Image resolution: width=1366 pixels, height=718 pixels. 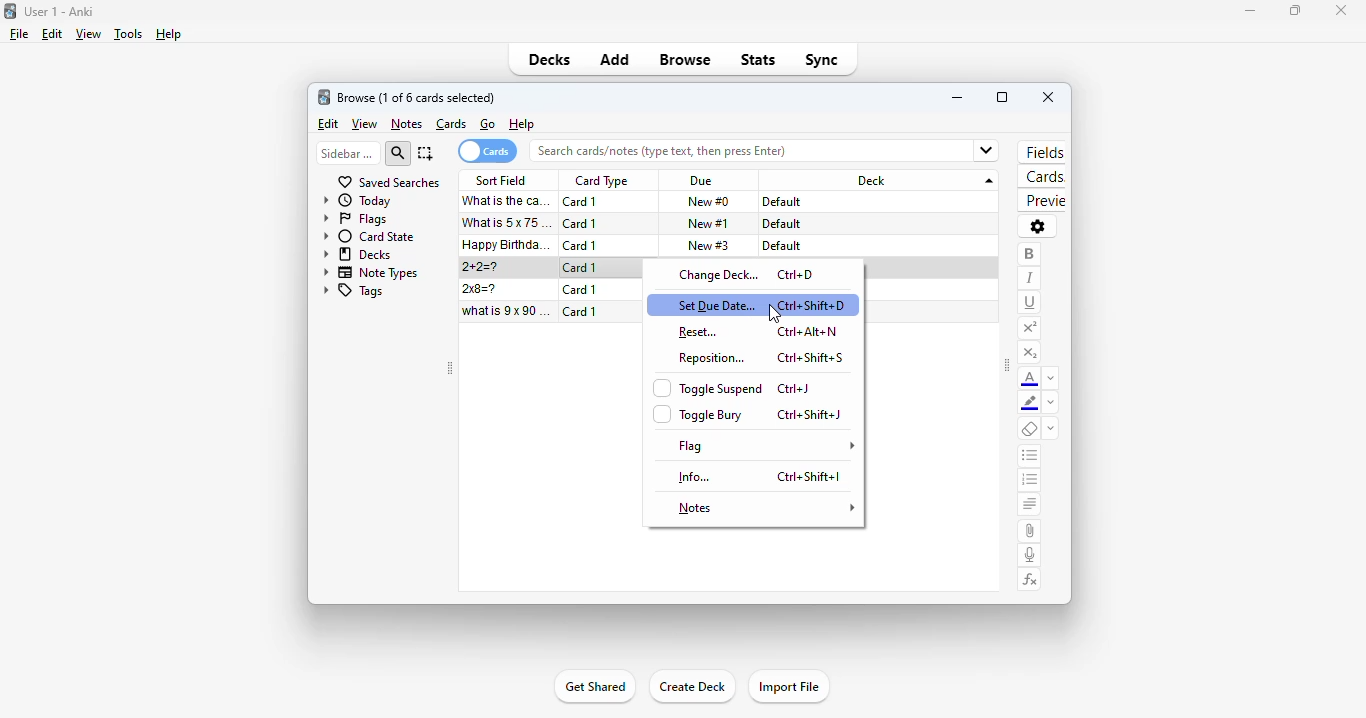 I want to click on Ctrl+J, so click(x=794, y=389).